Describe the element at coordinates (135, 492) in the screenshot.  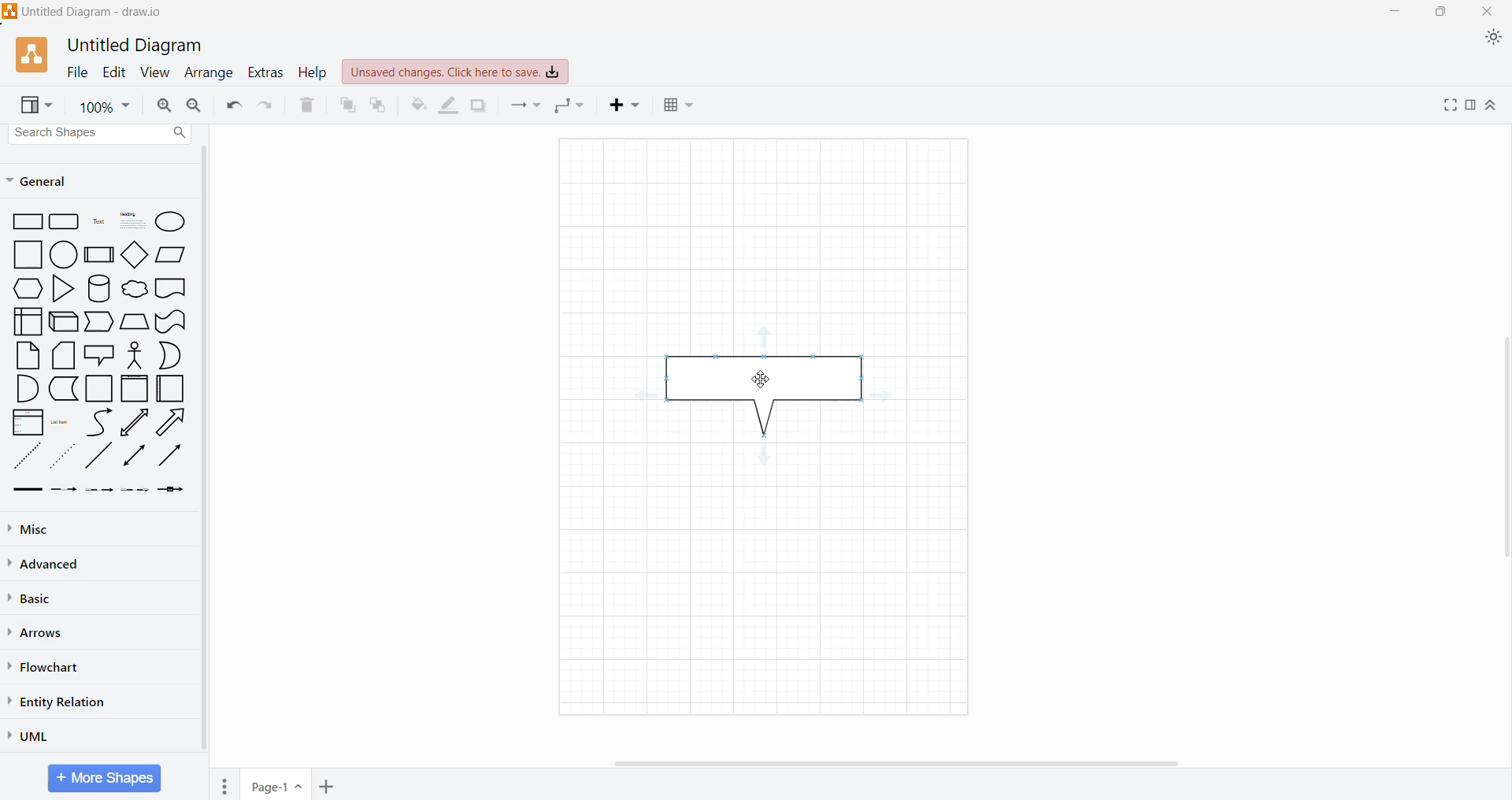
I see `Dotted Arrow ` at that location.